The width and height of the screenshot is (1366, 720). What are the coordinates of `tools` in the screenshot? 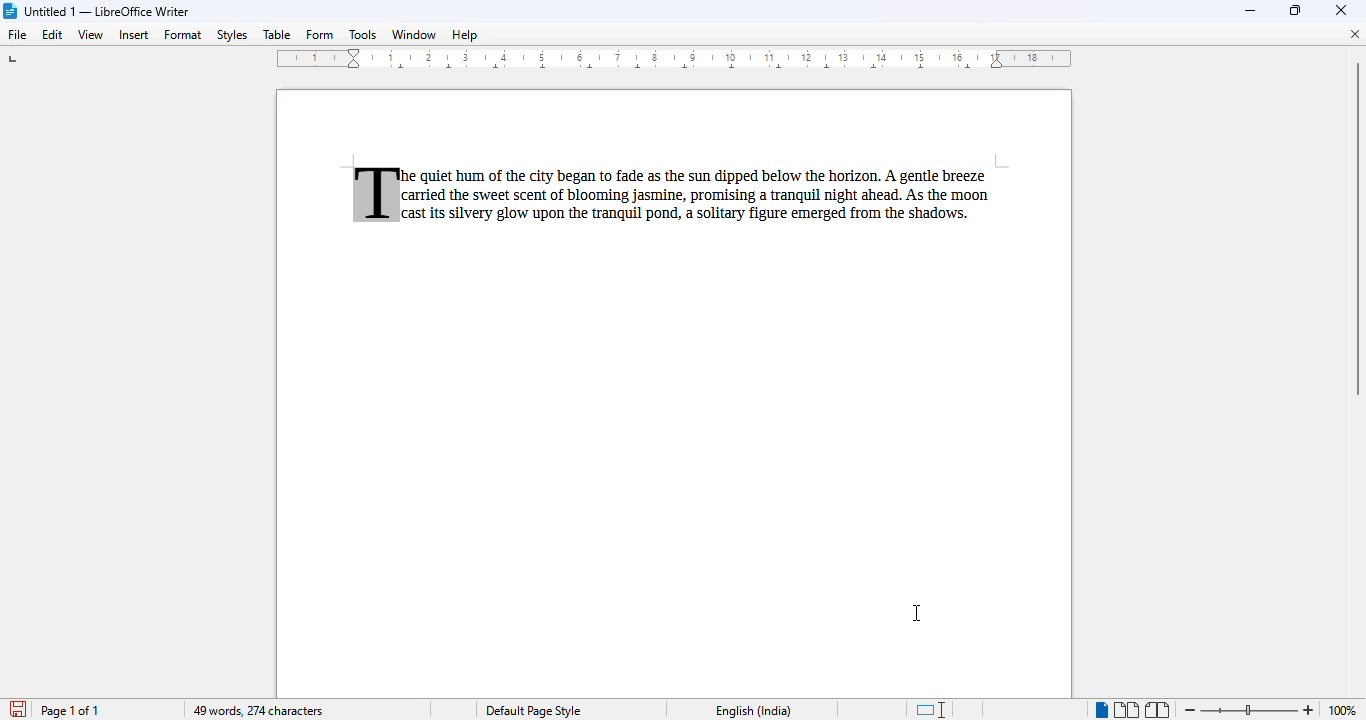 It's located at (363, 34).